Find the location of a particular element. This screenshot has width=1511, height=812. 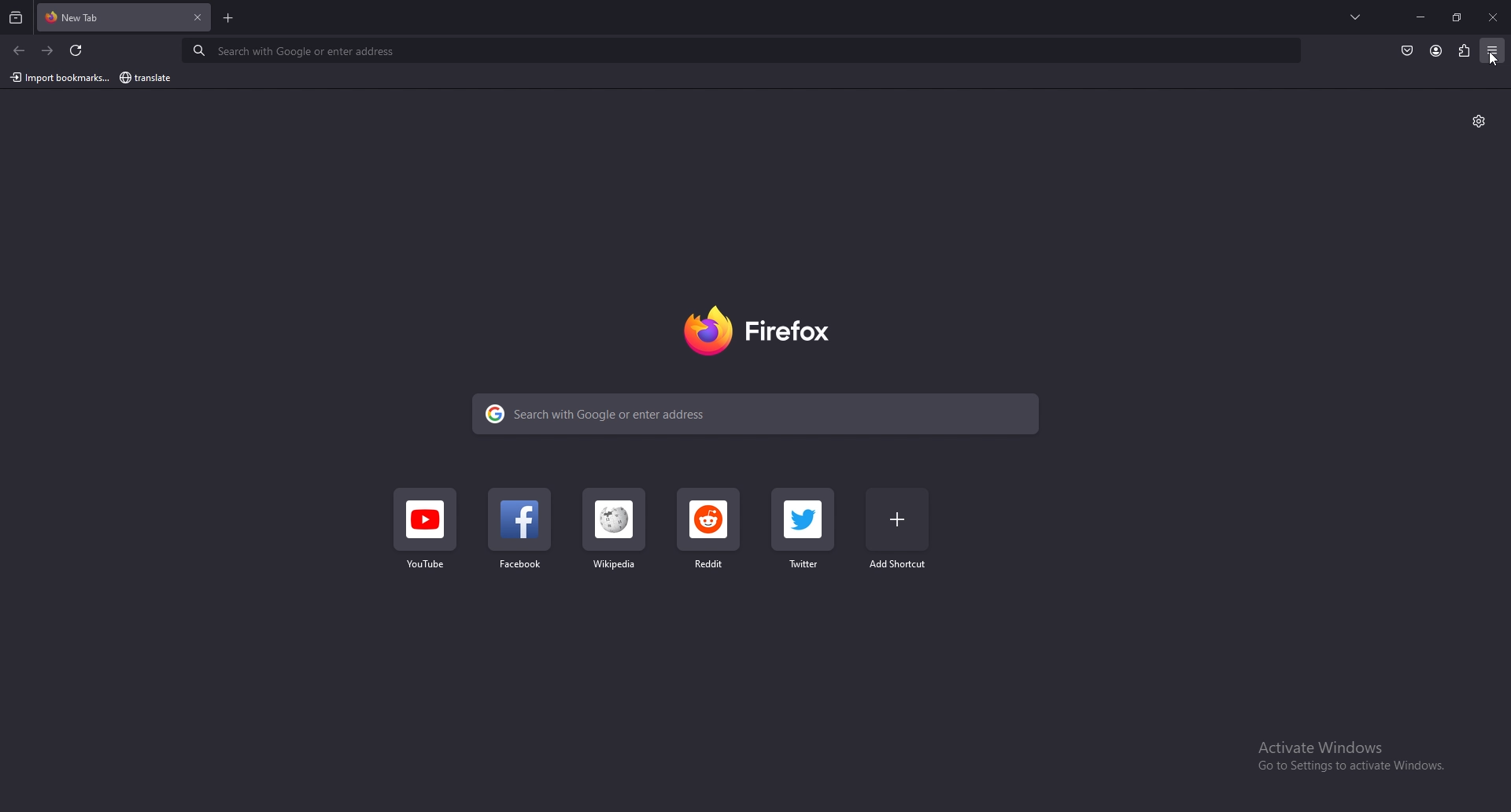

back is located at coordinates (20, 51).